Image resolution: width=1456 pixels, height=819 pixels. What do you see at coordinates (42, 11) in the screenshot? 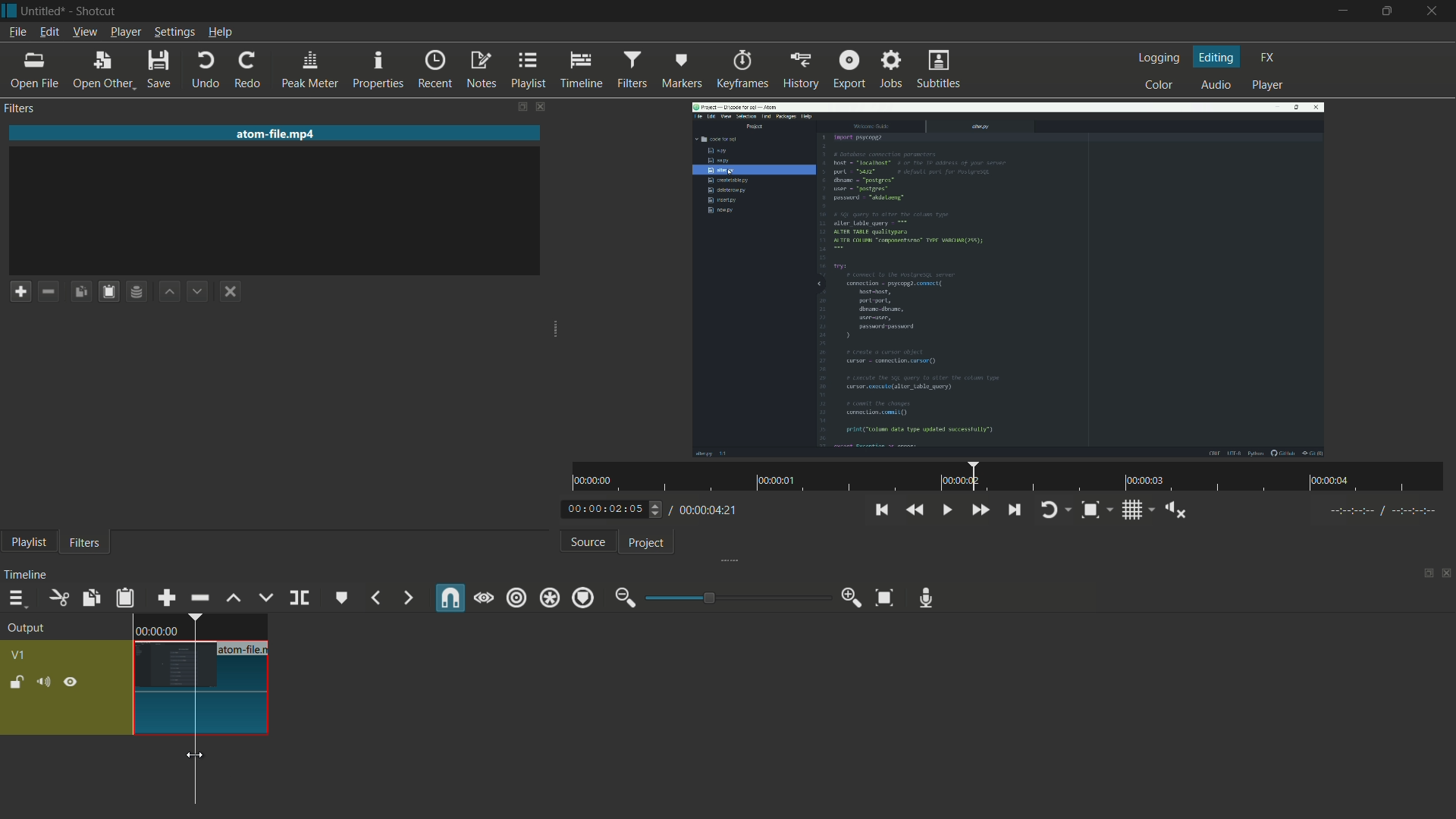
I see `project name` at bounding box center [42, 11].